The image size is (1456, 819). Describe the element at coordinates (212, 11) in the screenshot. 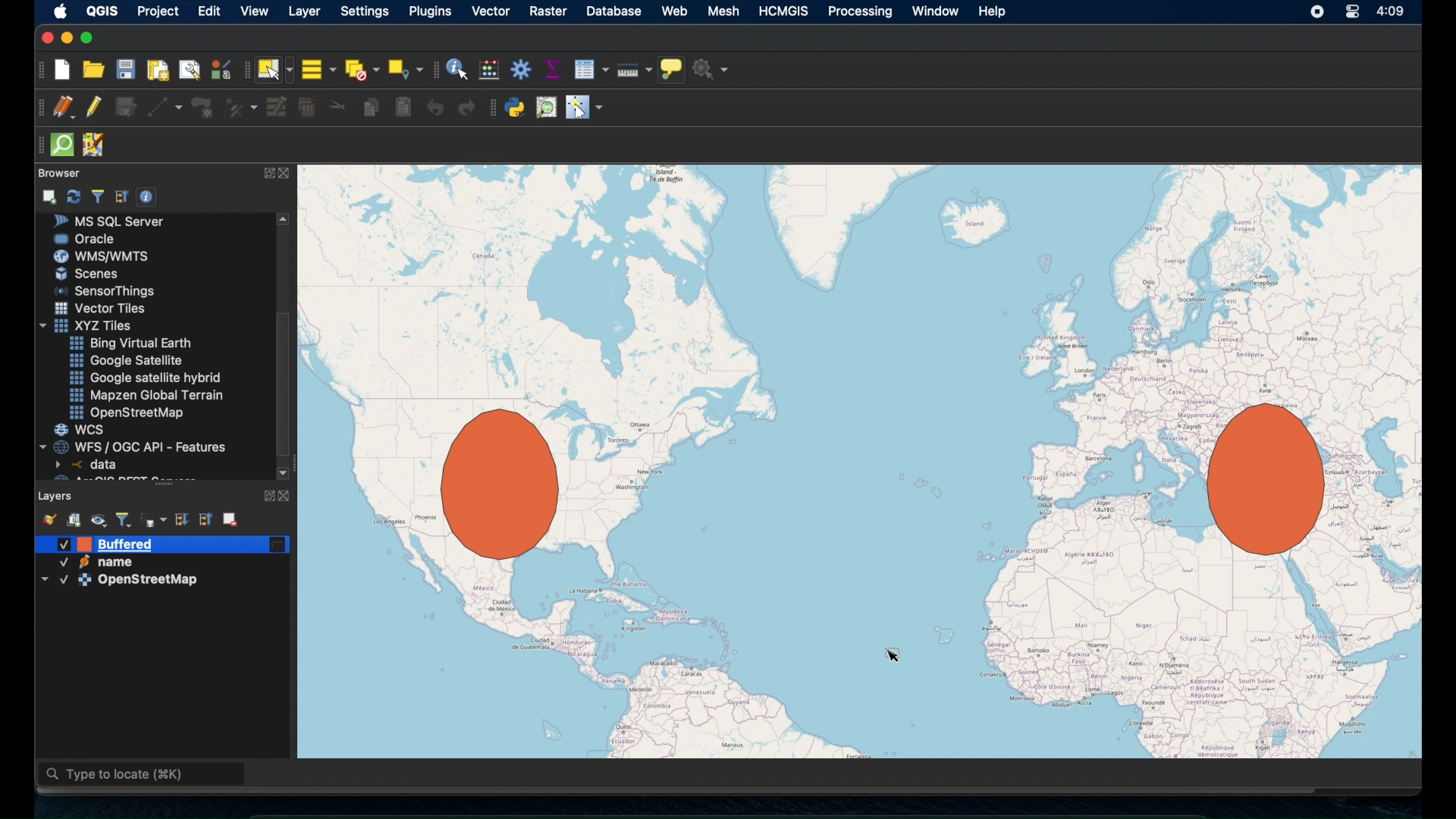

I see `edit` at that location.